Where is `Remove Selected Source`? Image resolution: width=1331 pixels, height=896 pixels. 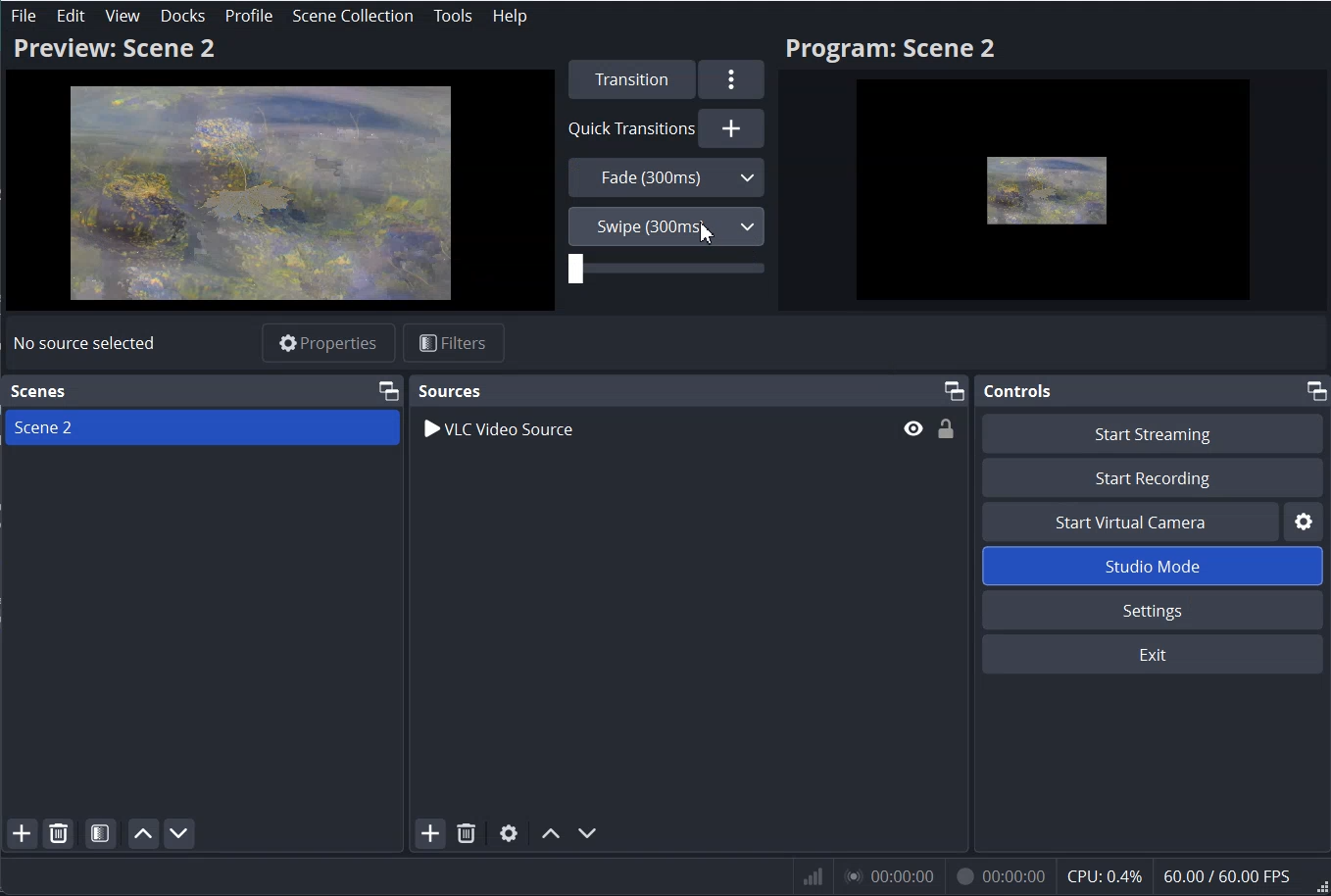 Remove Selected Source is located at coordinates (465, 833).